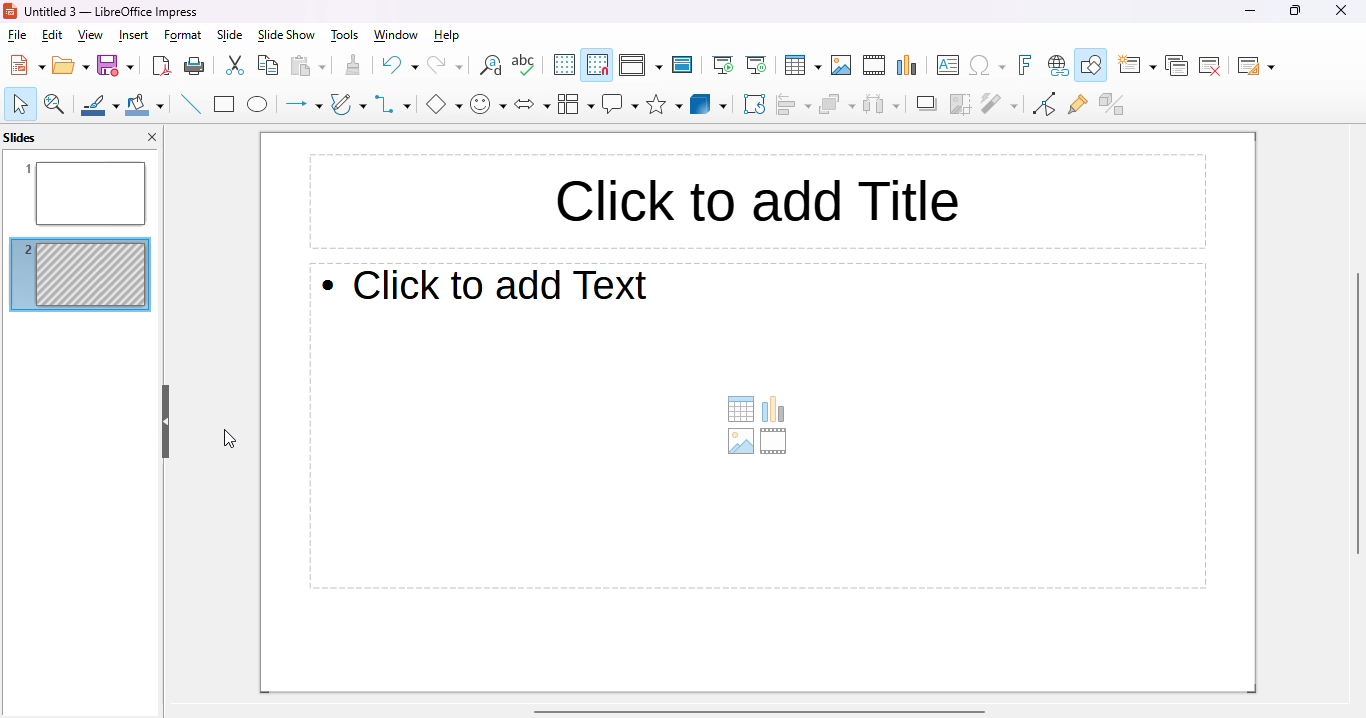  Describe the element at coordinates (999, 103) in the screenshot. I see `filter` at that location.